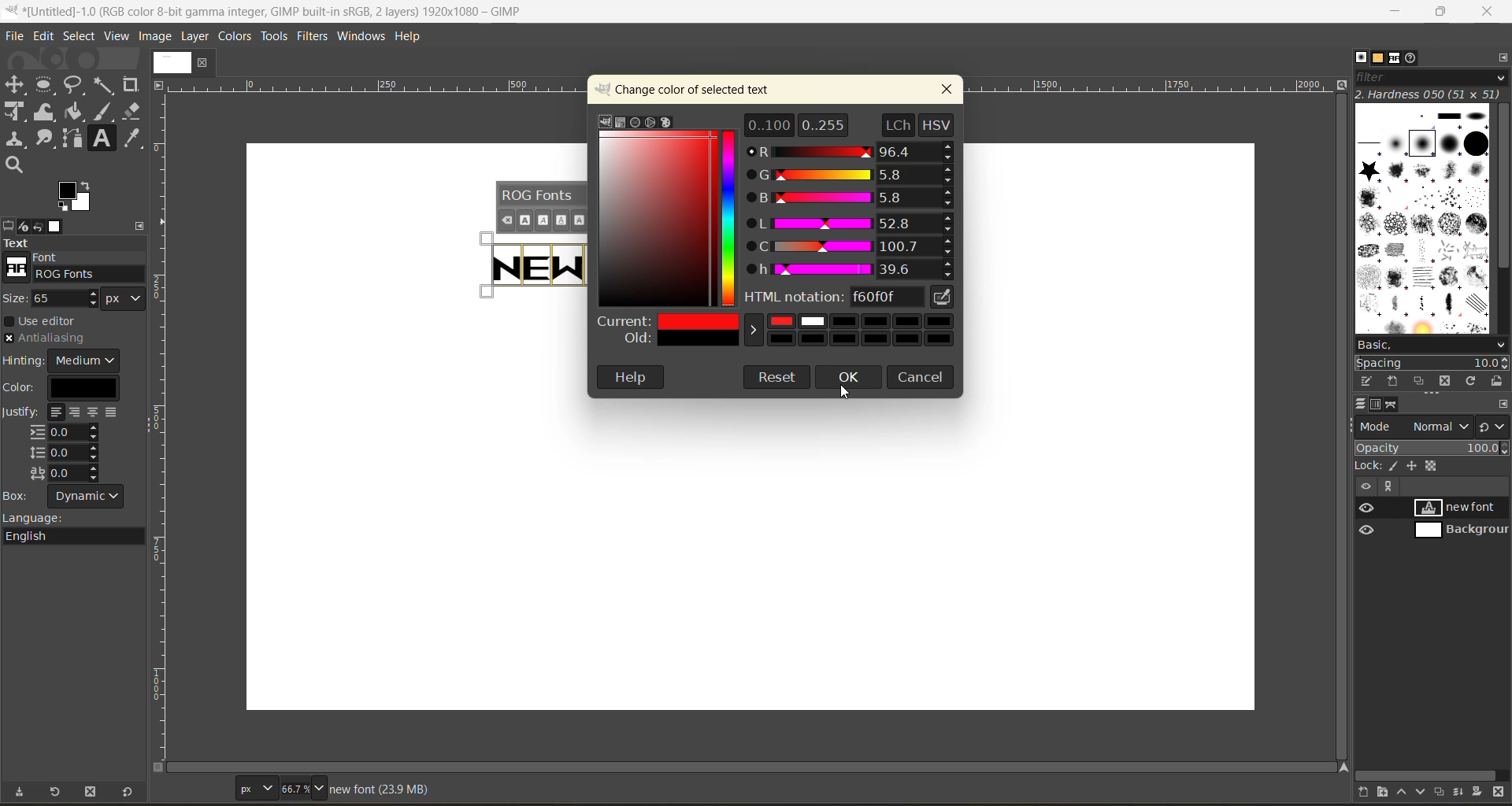  I want to click on raise this layer, so click(1406, 790).